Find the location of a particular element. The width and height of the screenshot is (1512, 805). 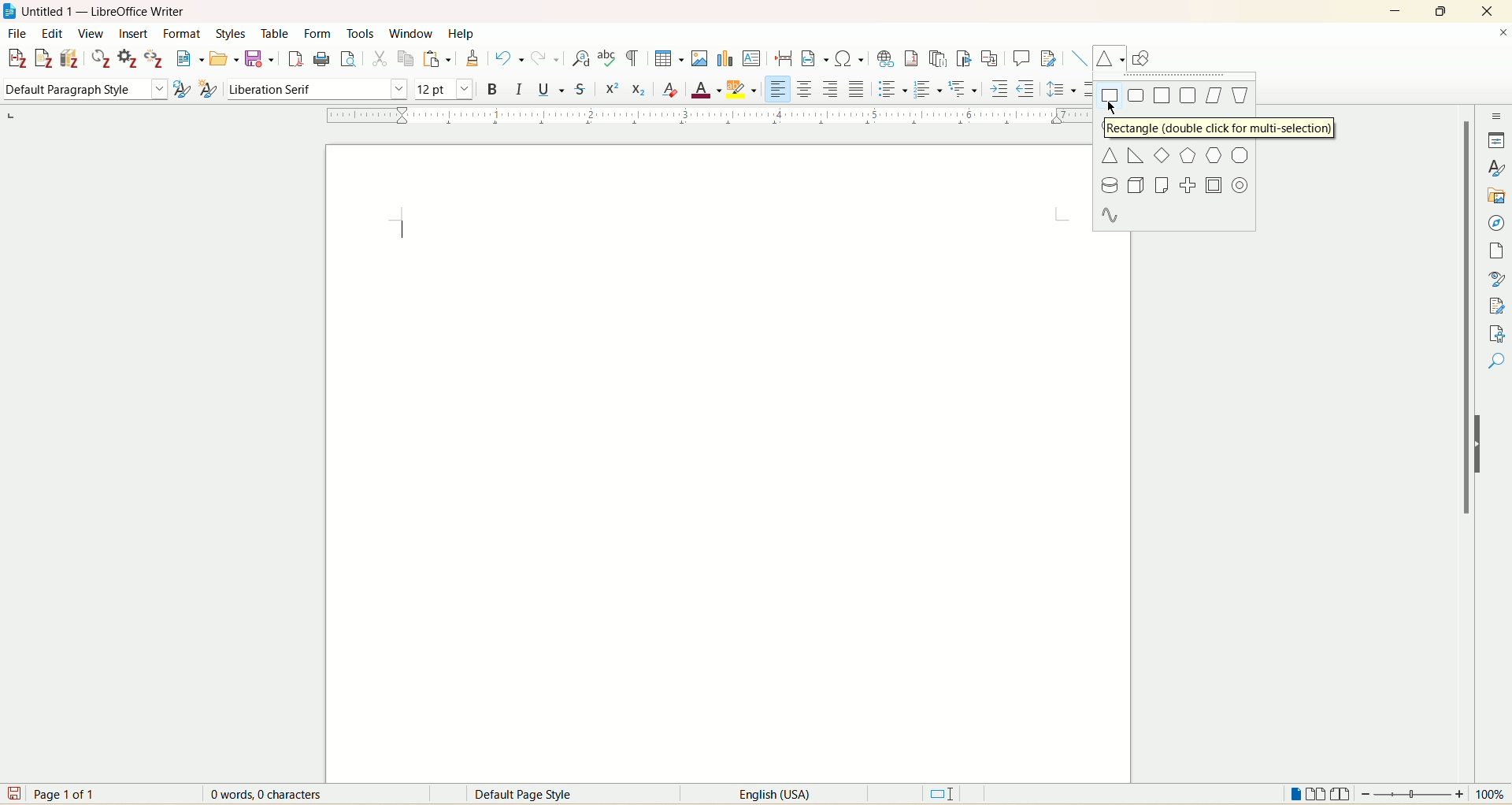

Default page style is located at coordinates (535, 795).